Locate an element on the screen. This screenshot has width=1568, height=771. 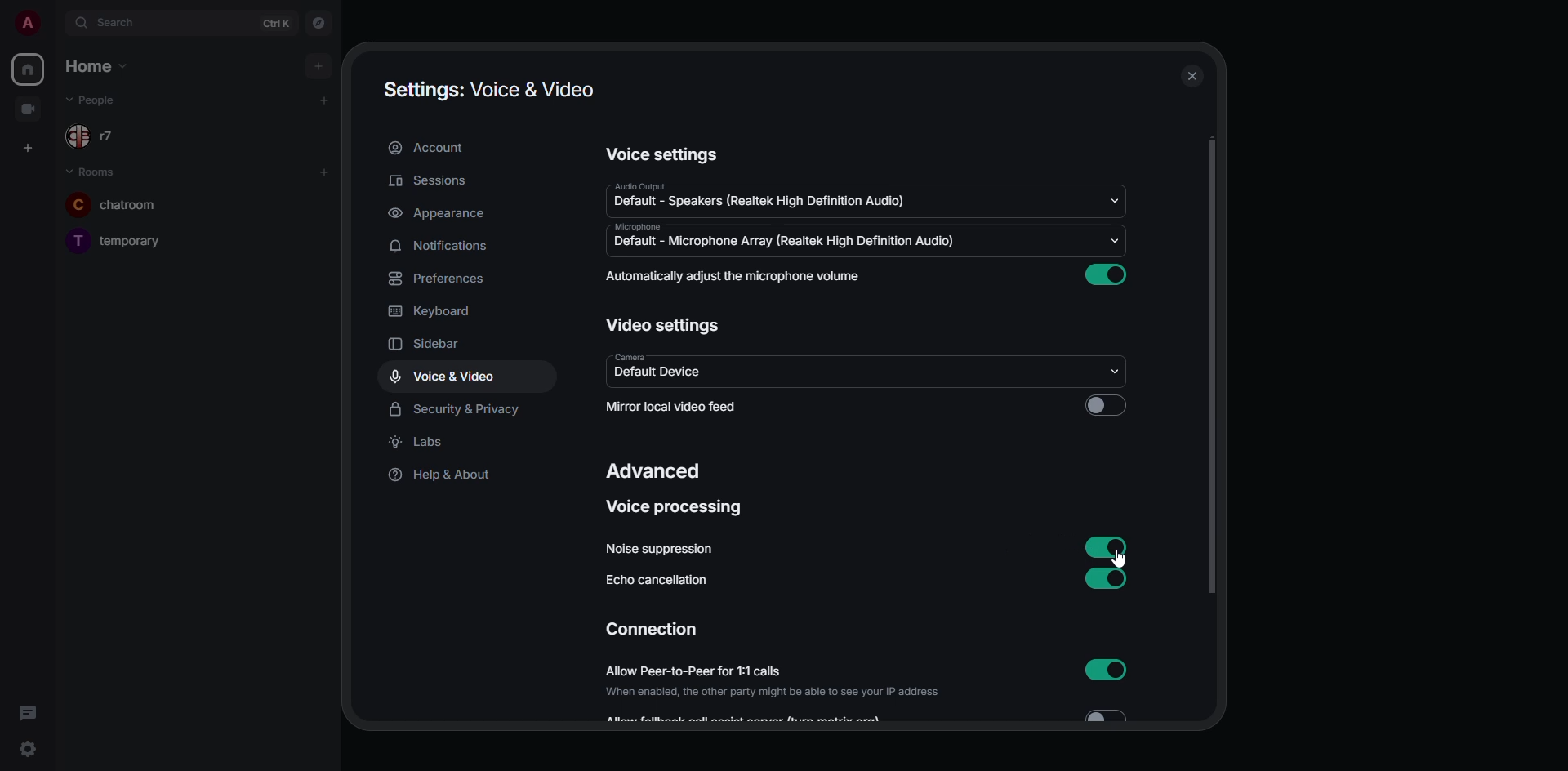
keyboard is located at coordinates (436, 310).